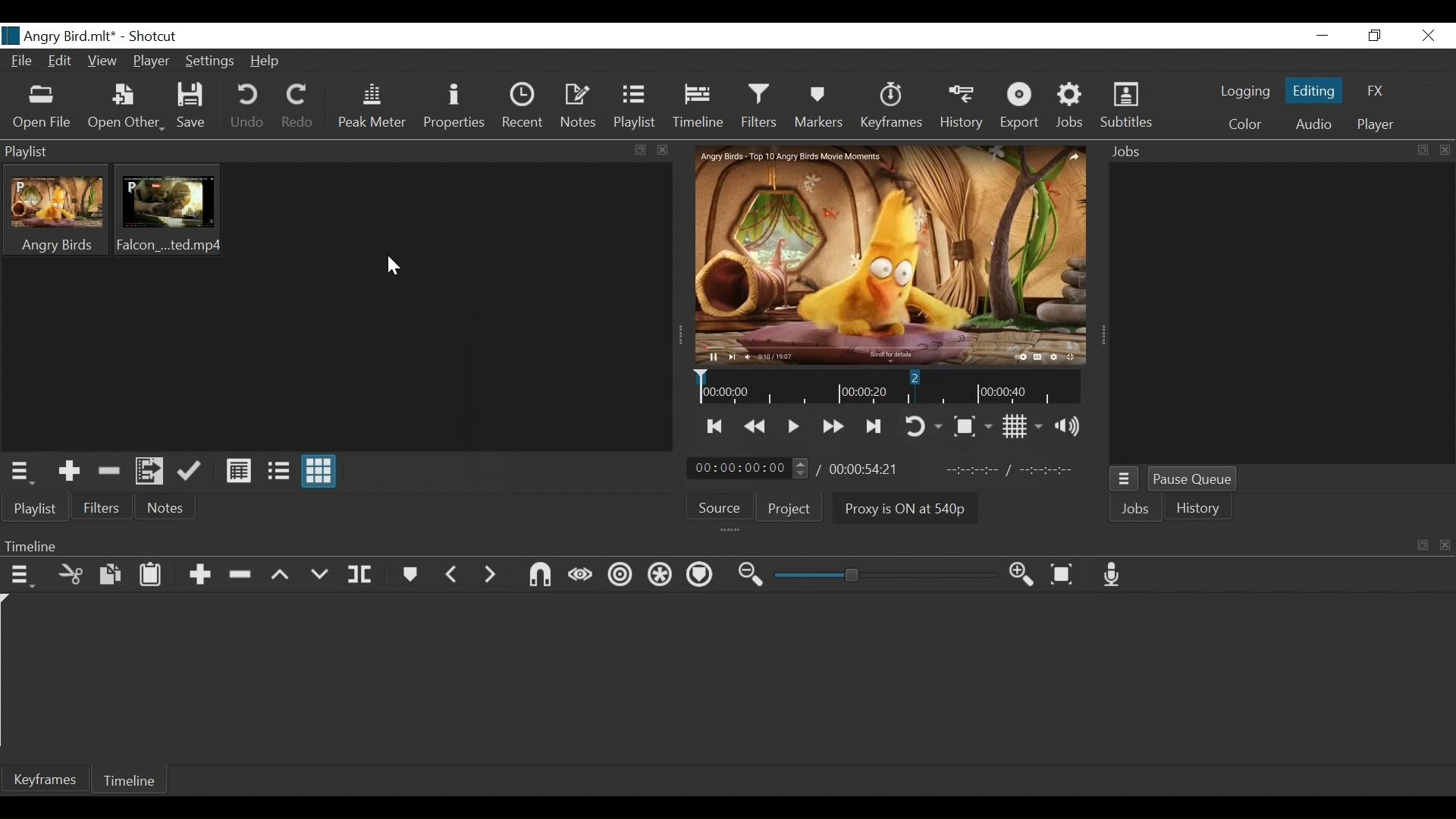  Describe the element at coordinates (249, 108) in the screenshot. I see `Undo` at that location.